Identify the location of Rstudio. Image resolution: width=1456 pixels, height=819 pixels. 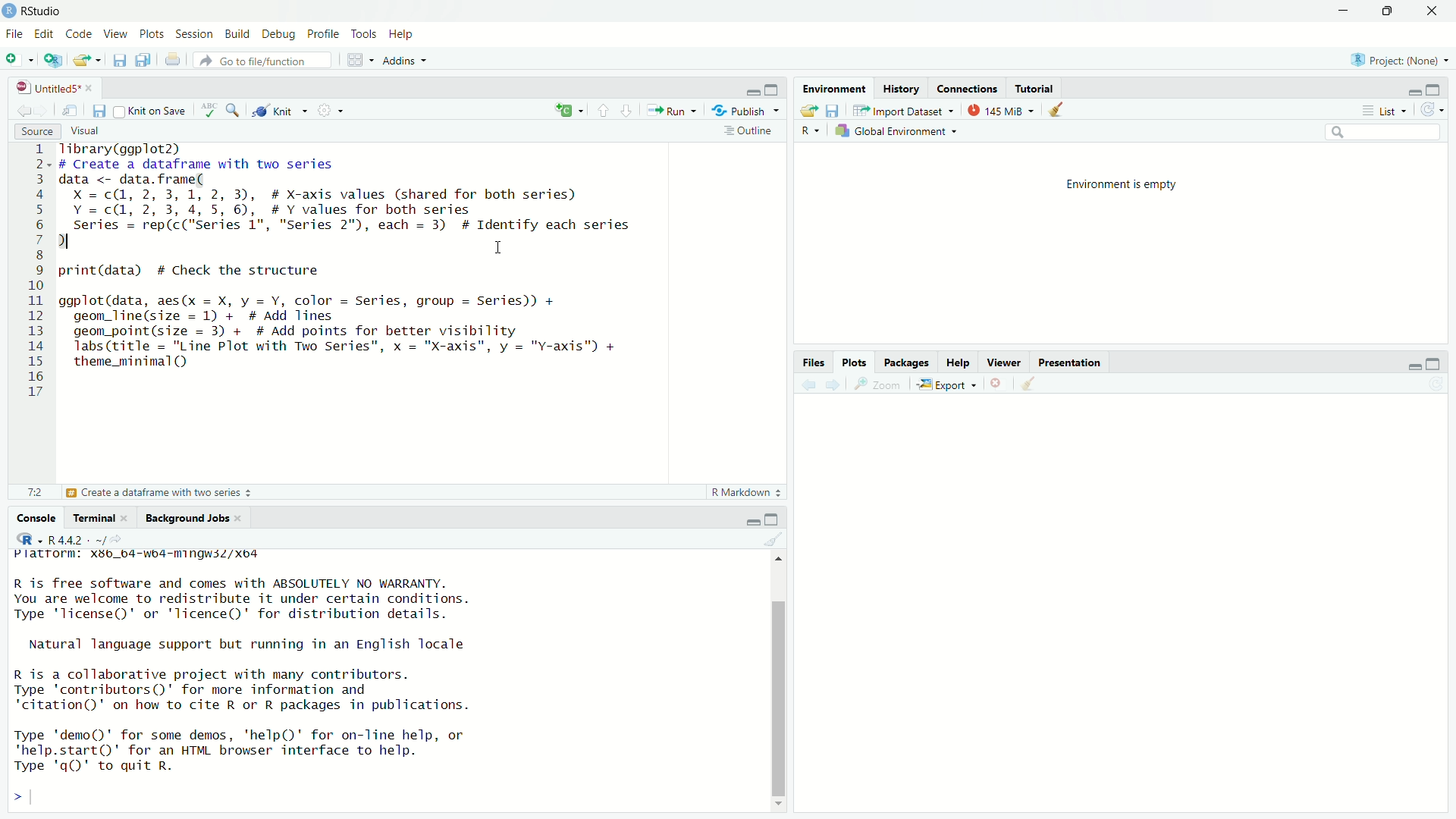
(36, 11).